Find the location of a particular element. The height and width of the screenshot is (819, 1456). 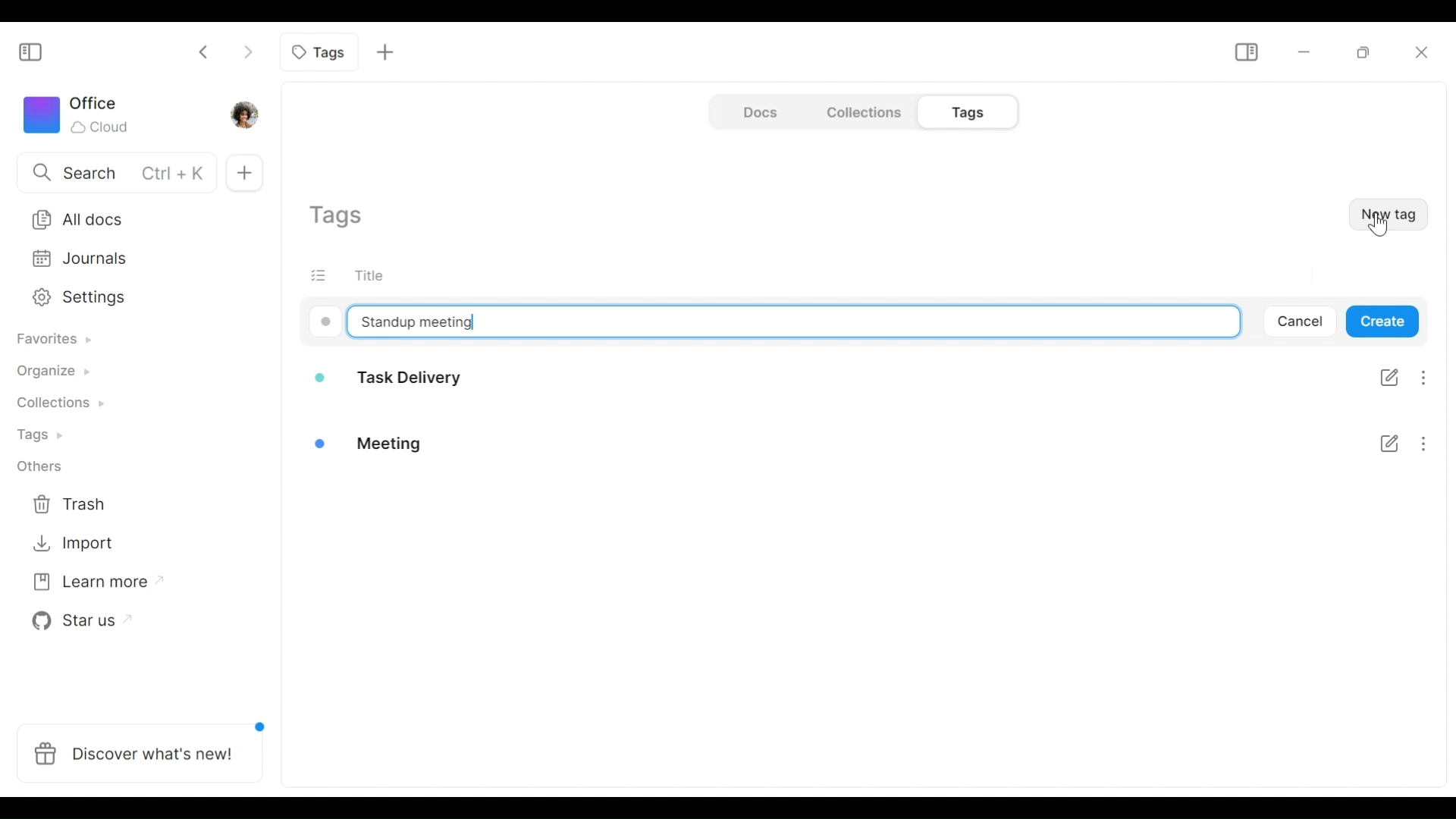

Others is located at coordinates (45, 465).